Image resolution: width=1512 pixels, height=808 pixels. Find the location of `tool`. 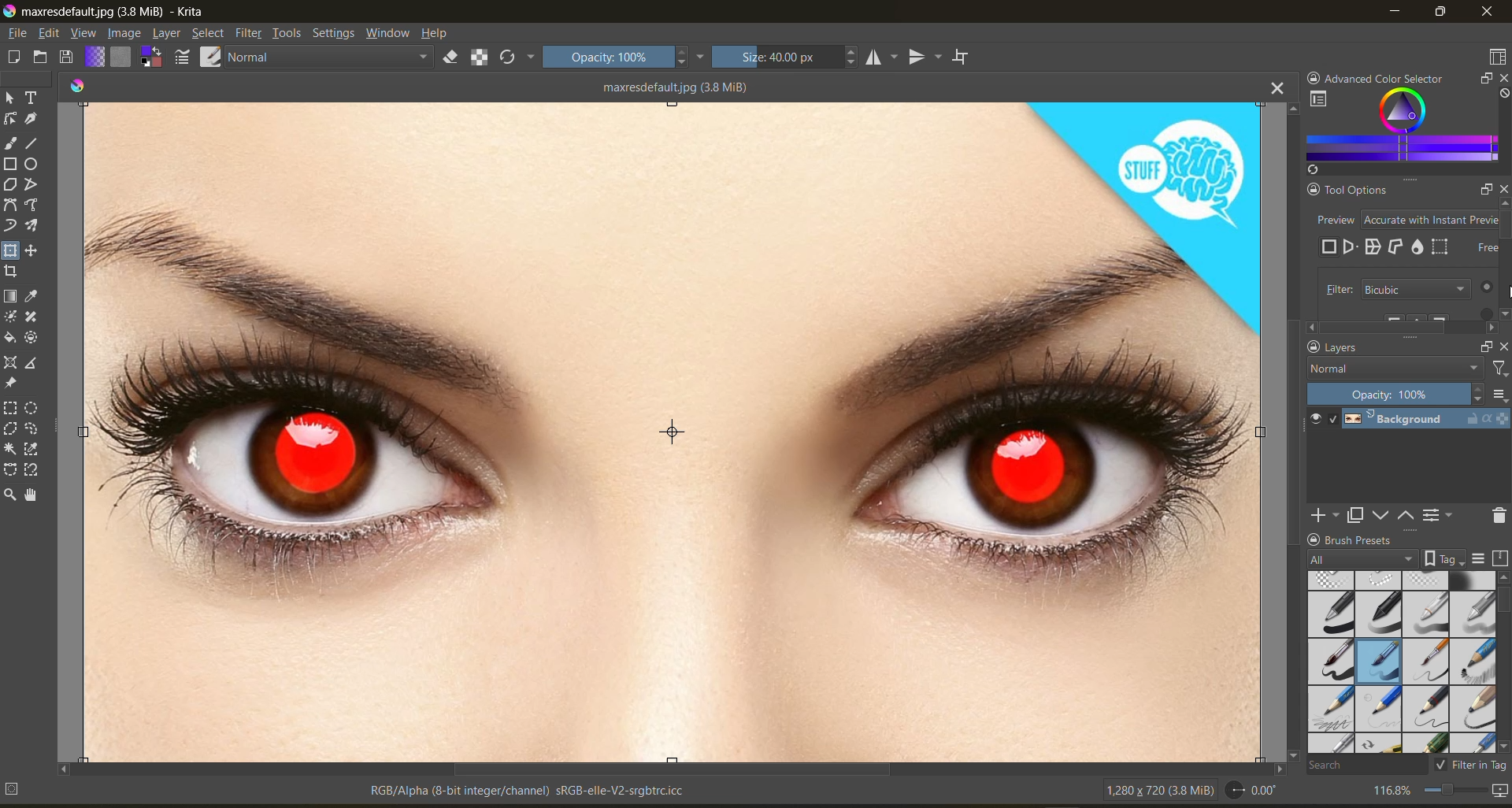

tool is located at coordinates (9, 384).